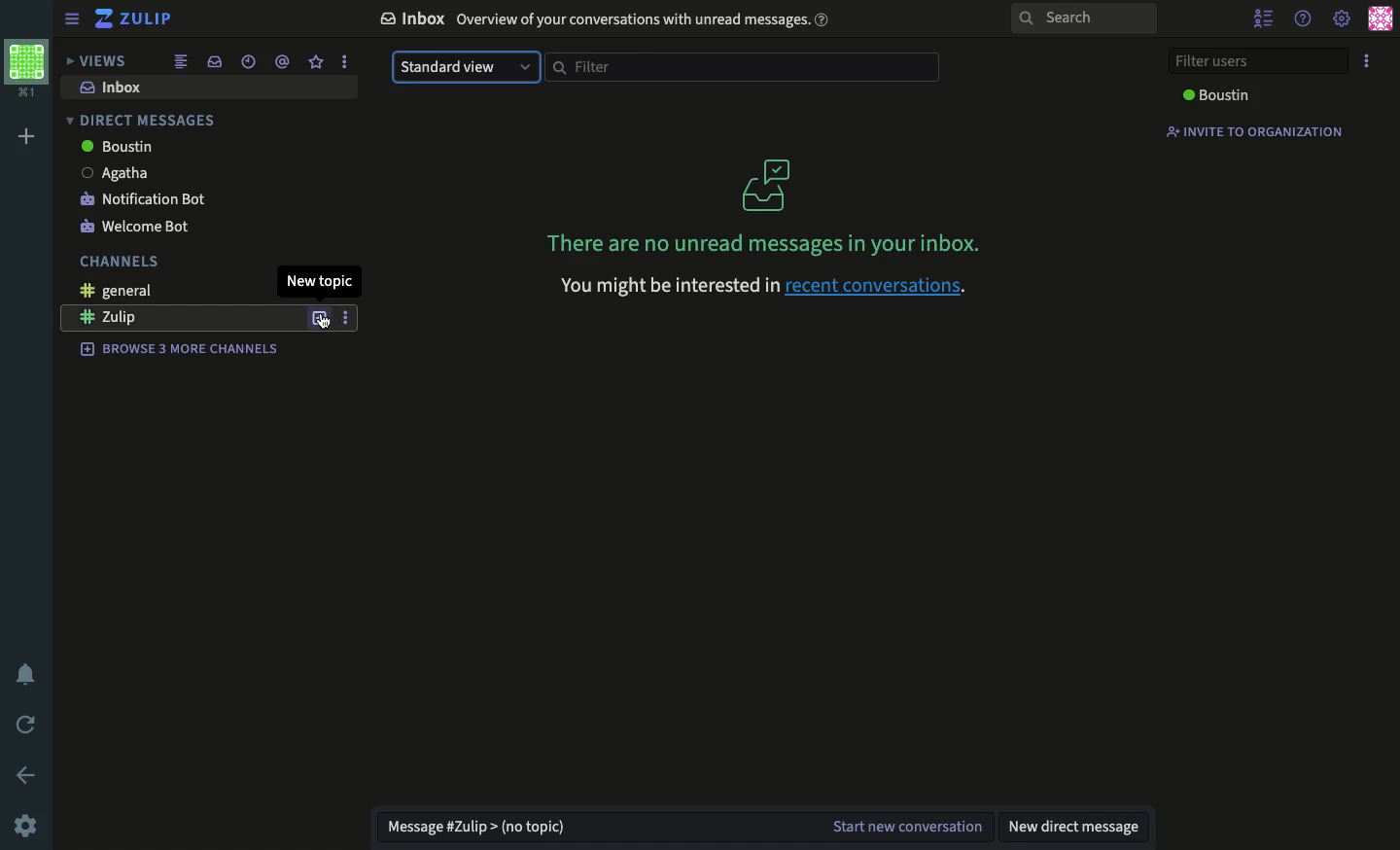  What do you see at coordinates (283, 64) in the screenshot?
I see `mention` at bounding box center [283, 64].